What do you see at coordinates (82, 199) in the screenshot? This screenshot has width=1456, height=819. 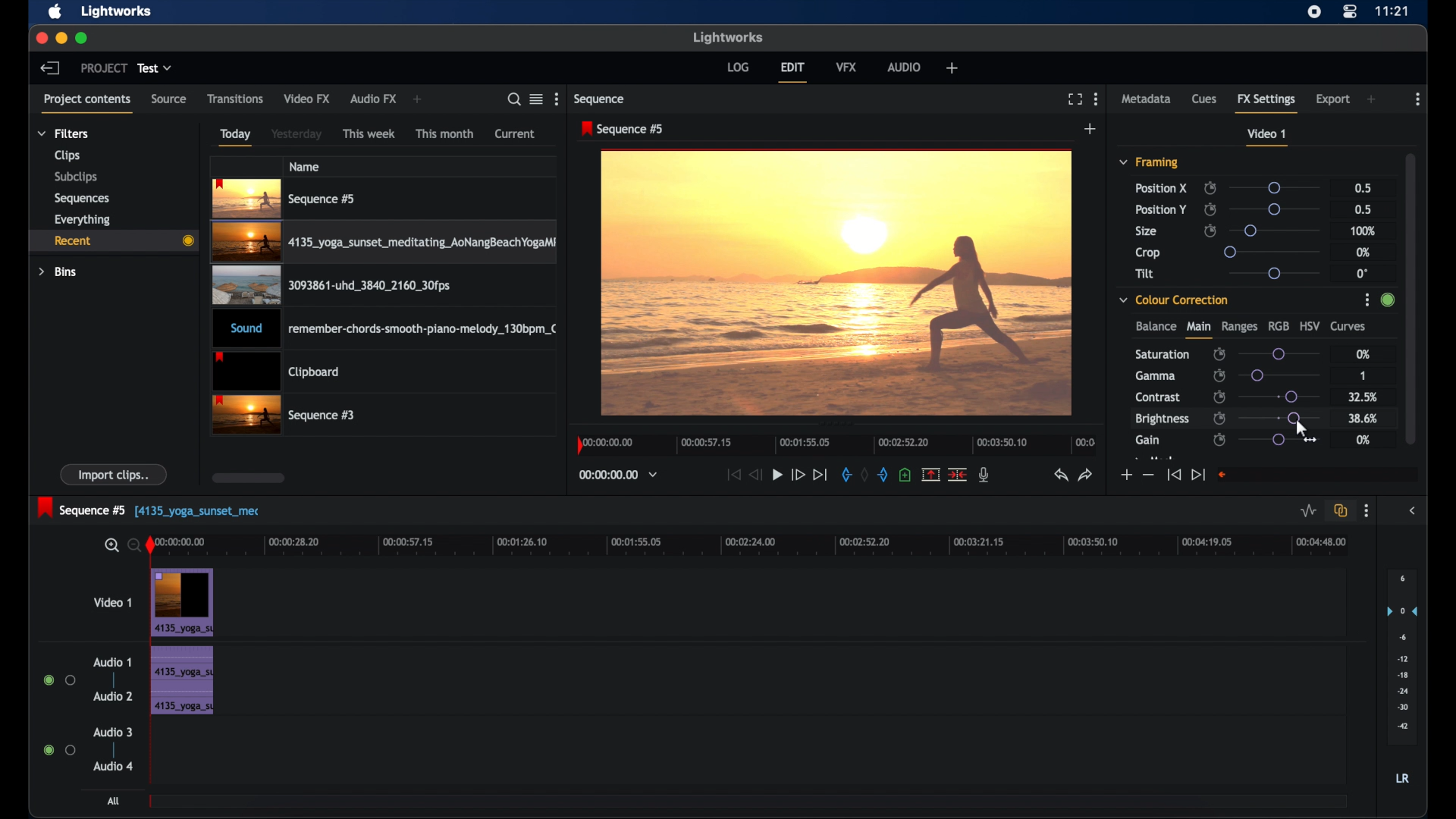 I see `sequences` at bounding box center [82, 199].